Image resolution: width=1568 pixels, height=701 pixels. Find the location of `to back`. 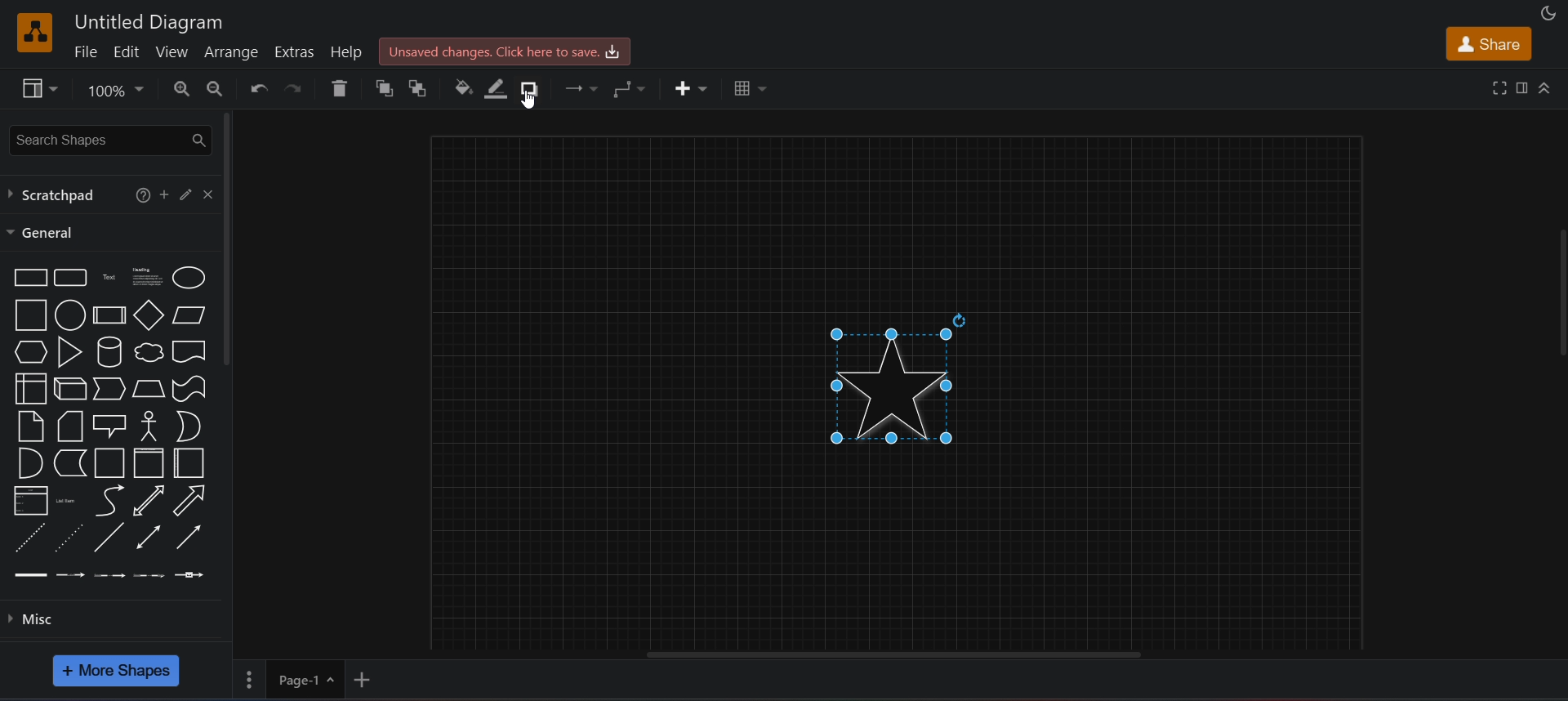

to back is located at coordinates (419, 89).